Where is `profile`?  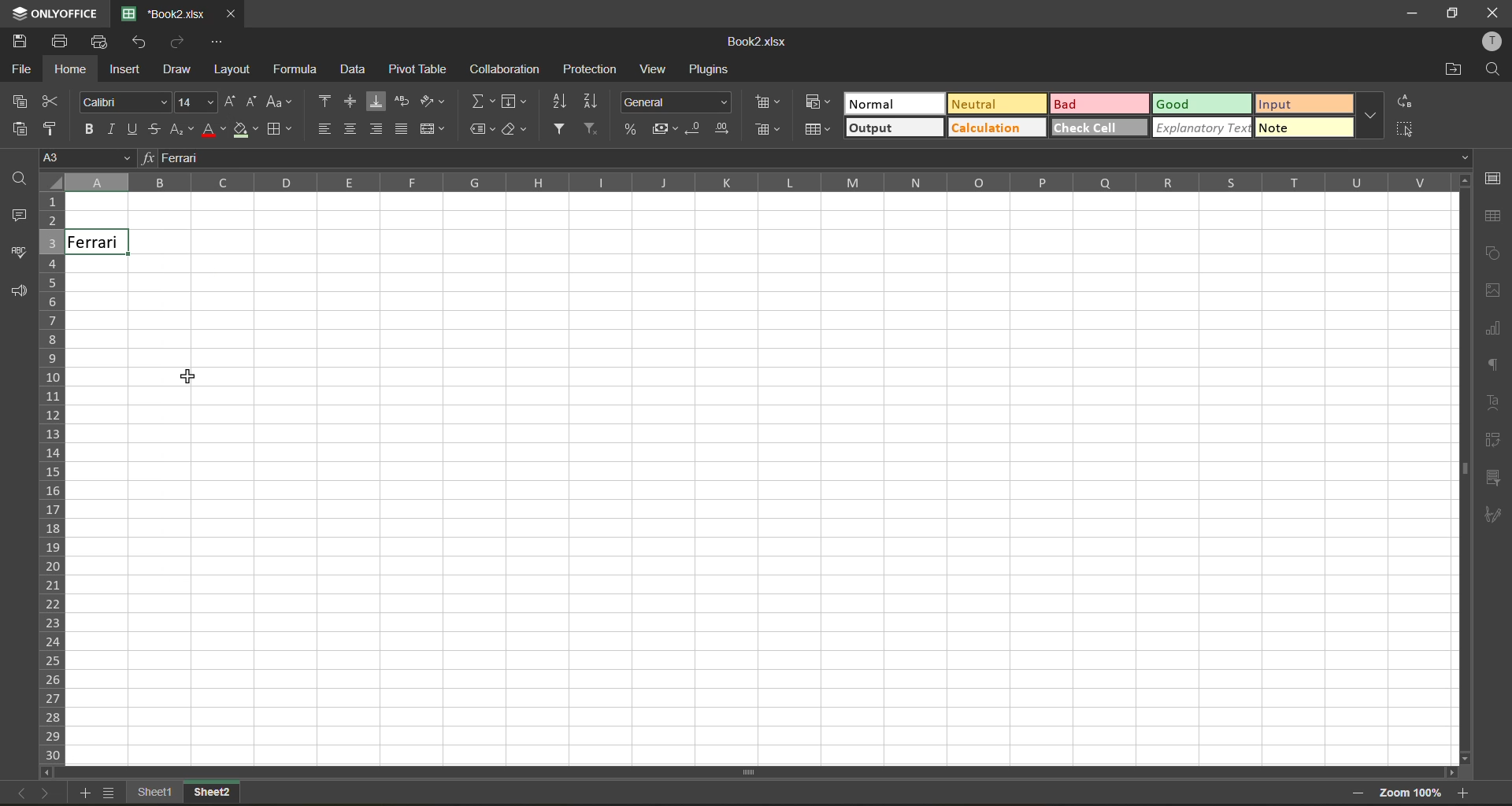 profile is located at coordinates (1496, 44).